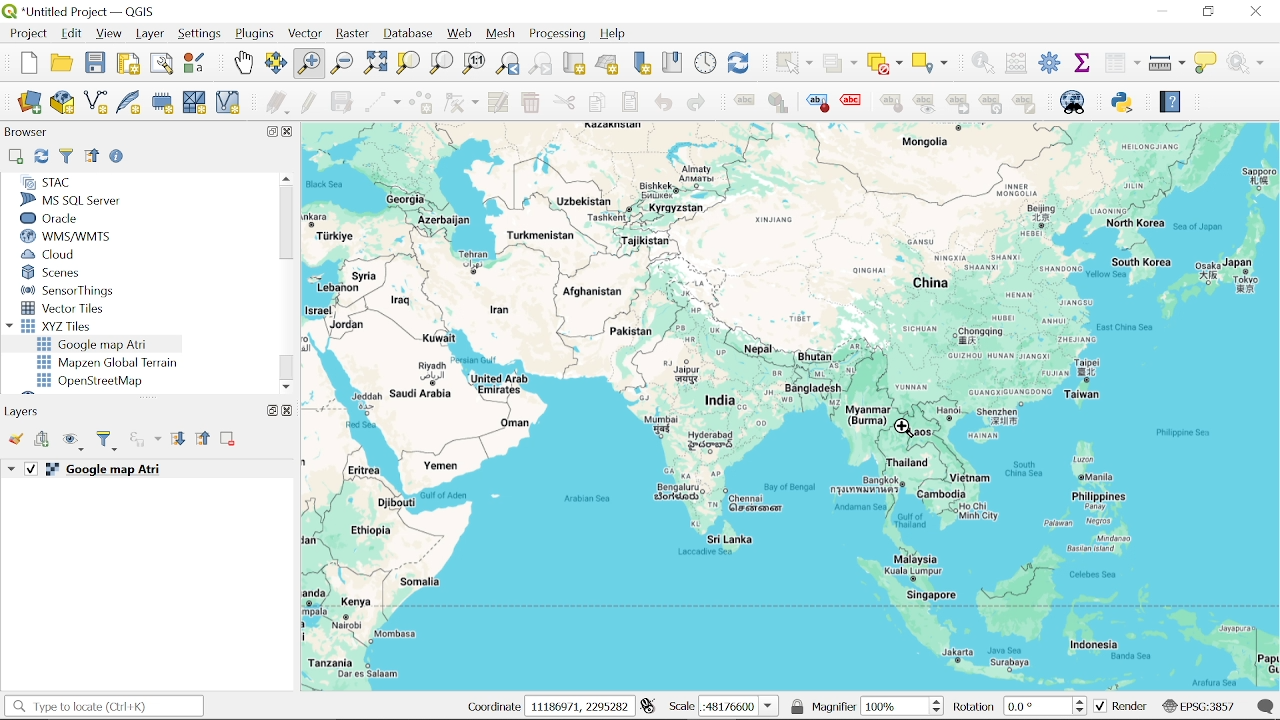 The width and height of the screenshot is (1280, 720). I want to click on New geopacakge layer, so click(63, 102).